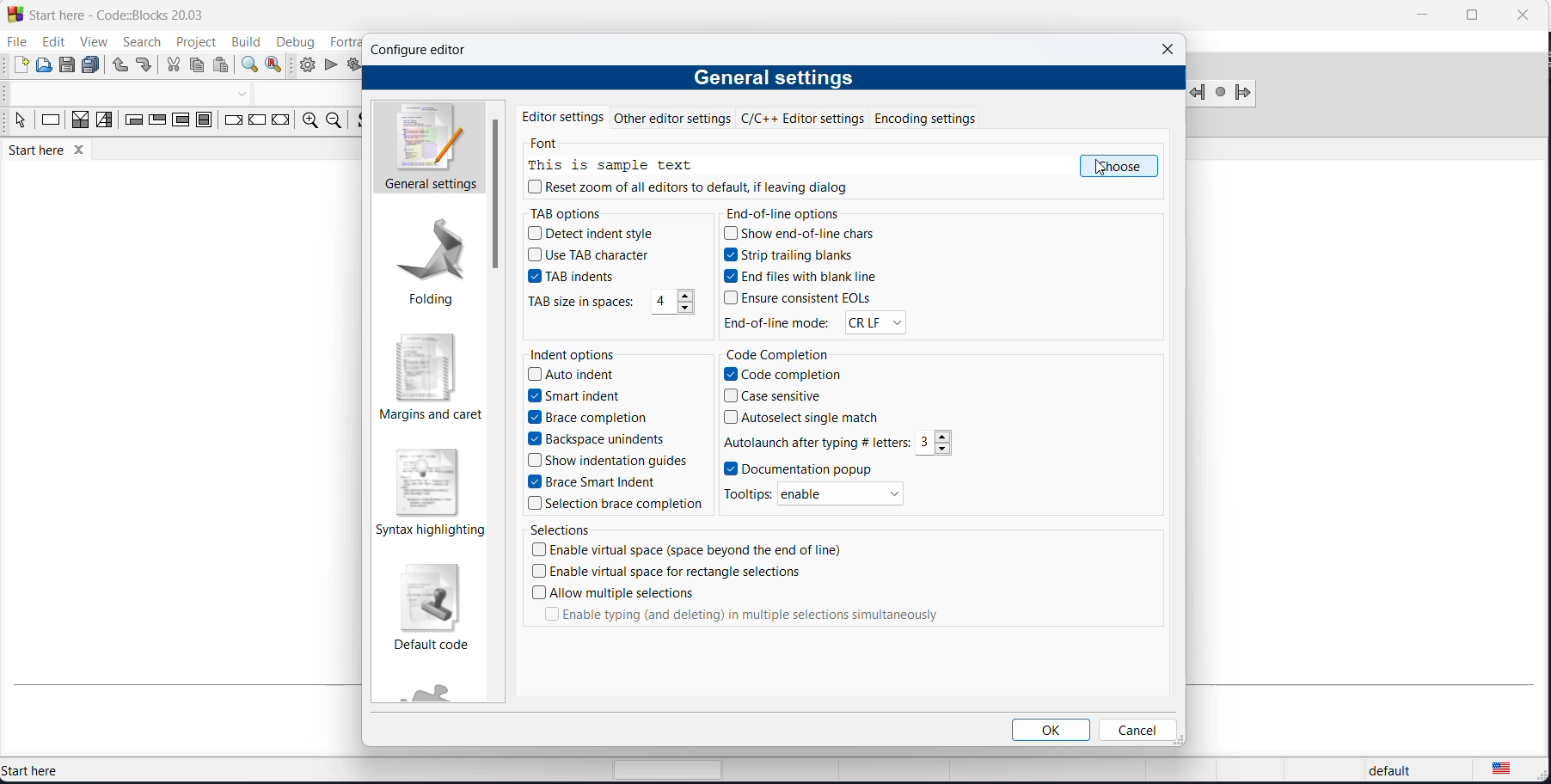  Describe the element at coordinates (676, 118) in the screenshot. I see `other editor settings` at that location.